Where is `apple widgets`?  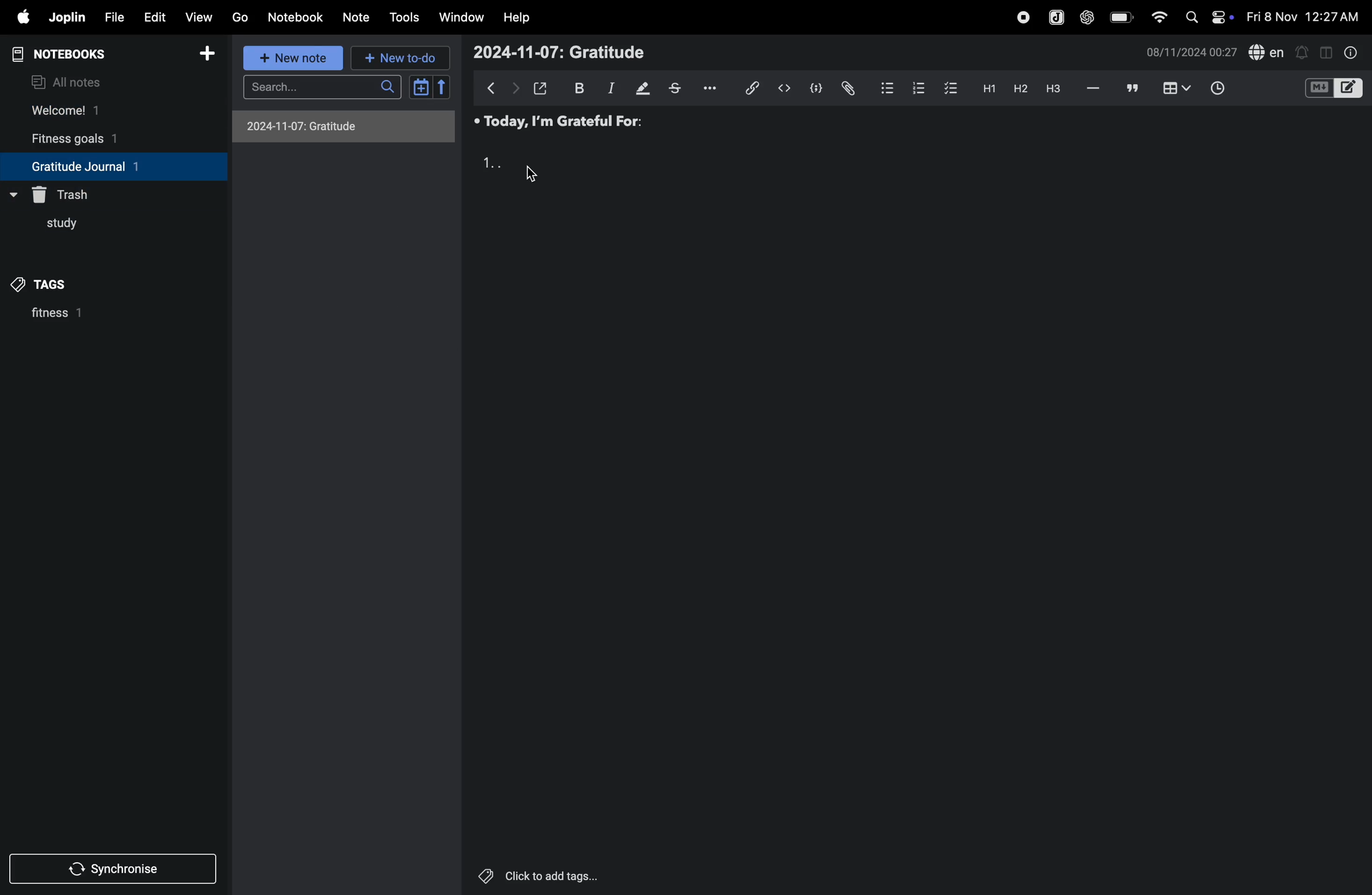 apple widgets is located at coordinates (1208, 17).